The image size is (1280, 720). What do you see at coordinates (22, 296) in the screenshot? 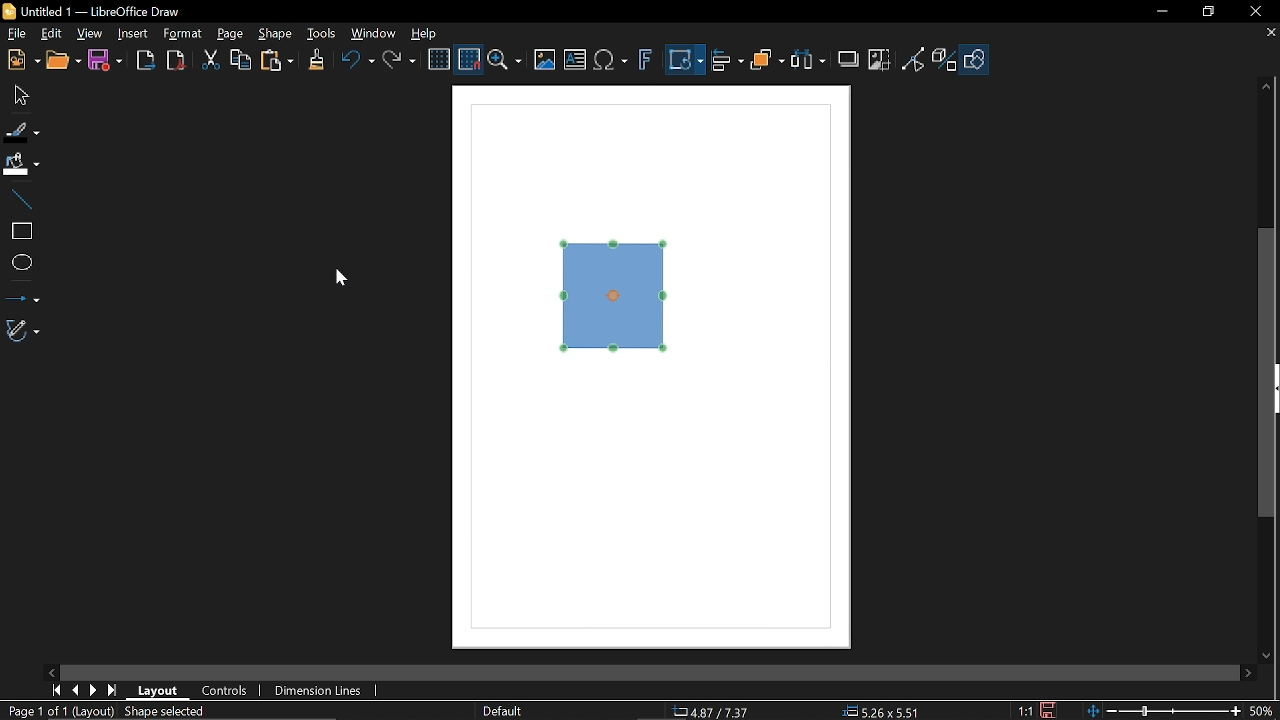
I see `Lines and arrows` at bounding box center [22, 296].